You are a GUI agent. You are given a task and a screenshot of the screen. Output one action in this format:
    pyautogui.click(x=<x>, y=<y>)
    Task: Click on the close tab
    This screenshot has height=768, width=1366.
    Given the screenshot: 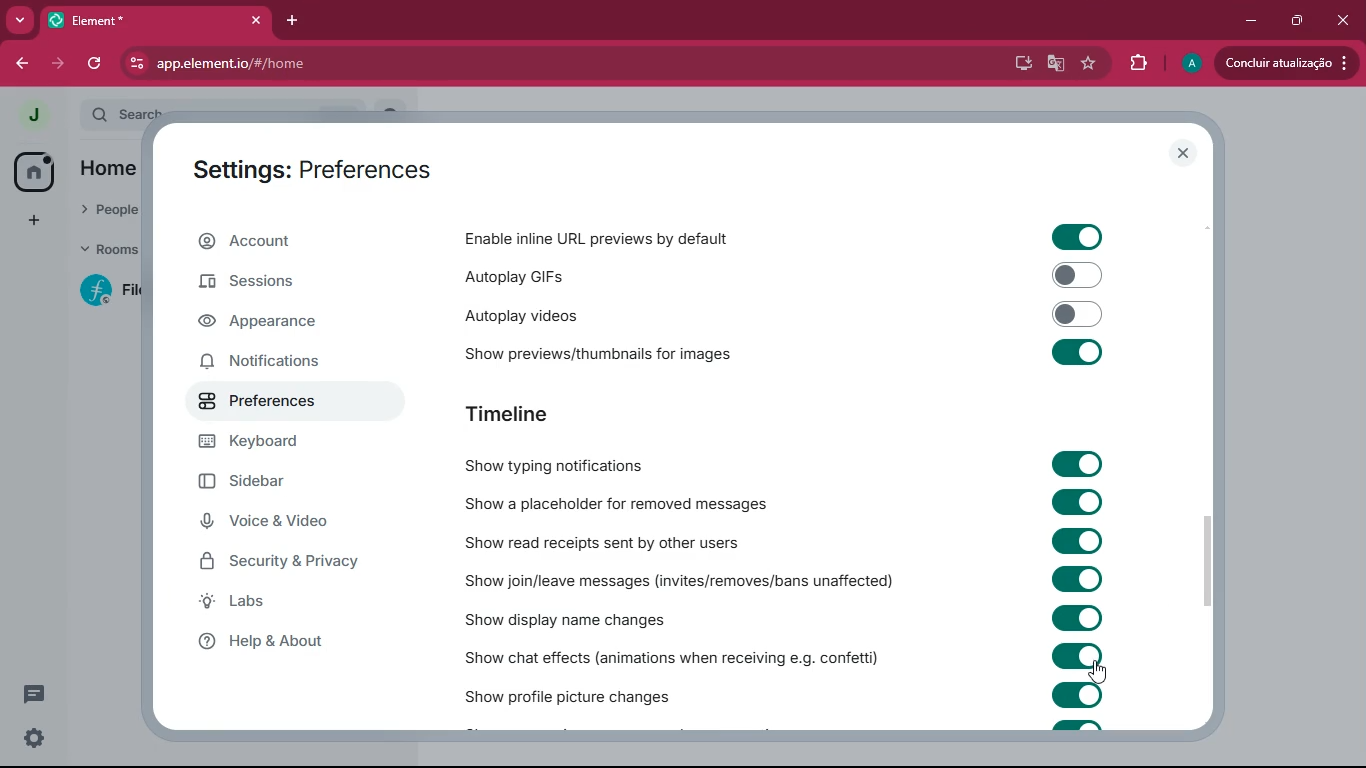 What is the action you would take?
    pyautogui.click(x=258, y=21)
    